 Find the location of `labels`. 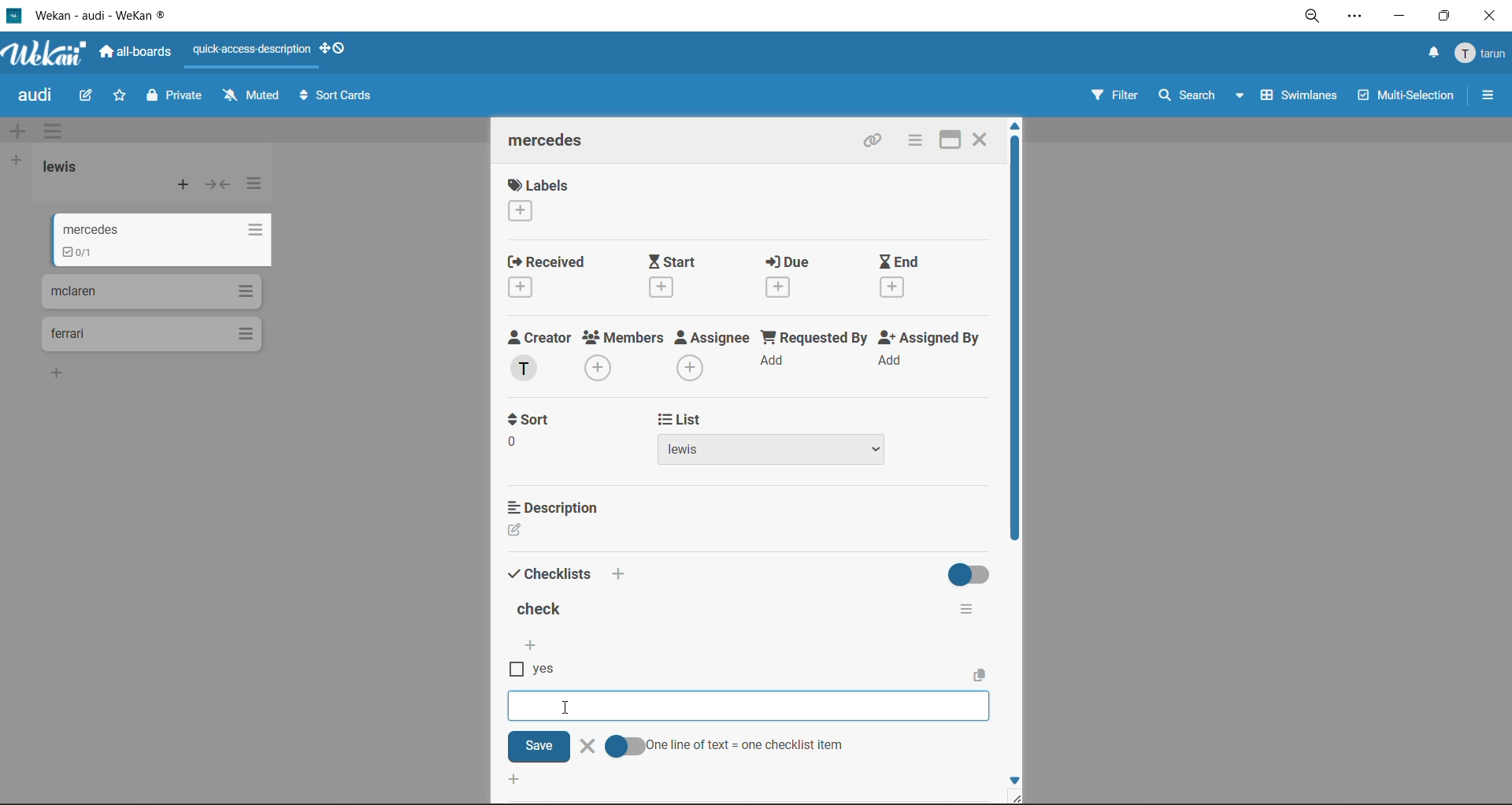

labels is located at coordinates (538, 202).